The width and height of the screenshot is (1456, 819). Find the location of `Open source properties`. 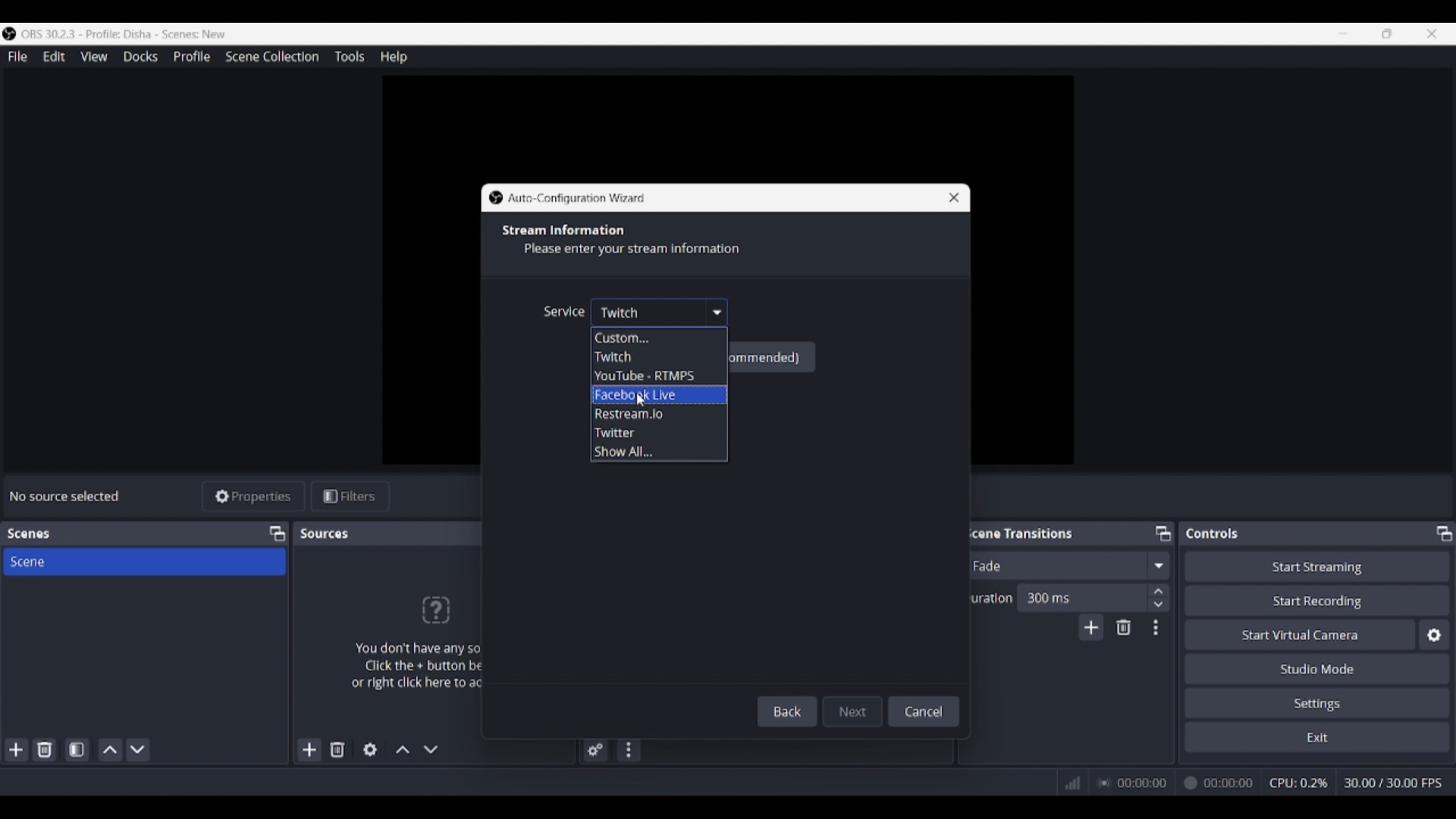

Open source properties is located at coordinates (370, 750).